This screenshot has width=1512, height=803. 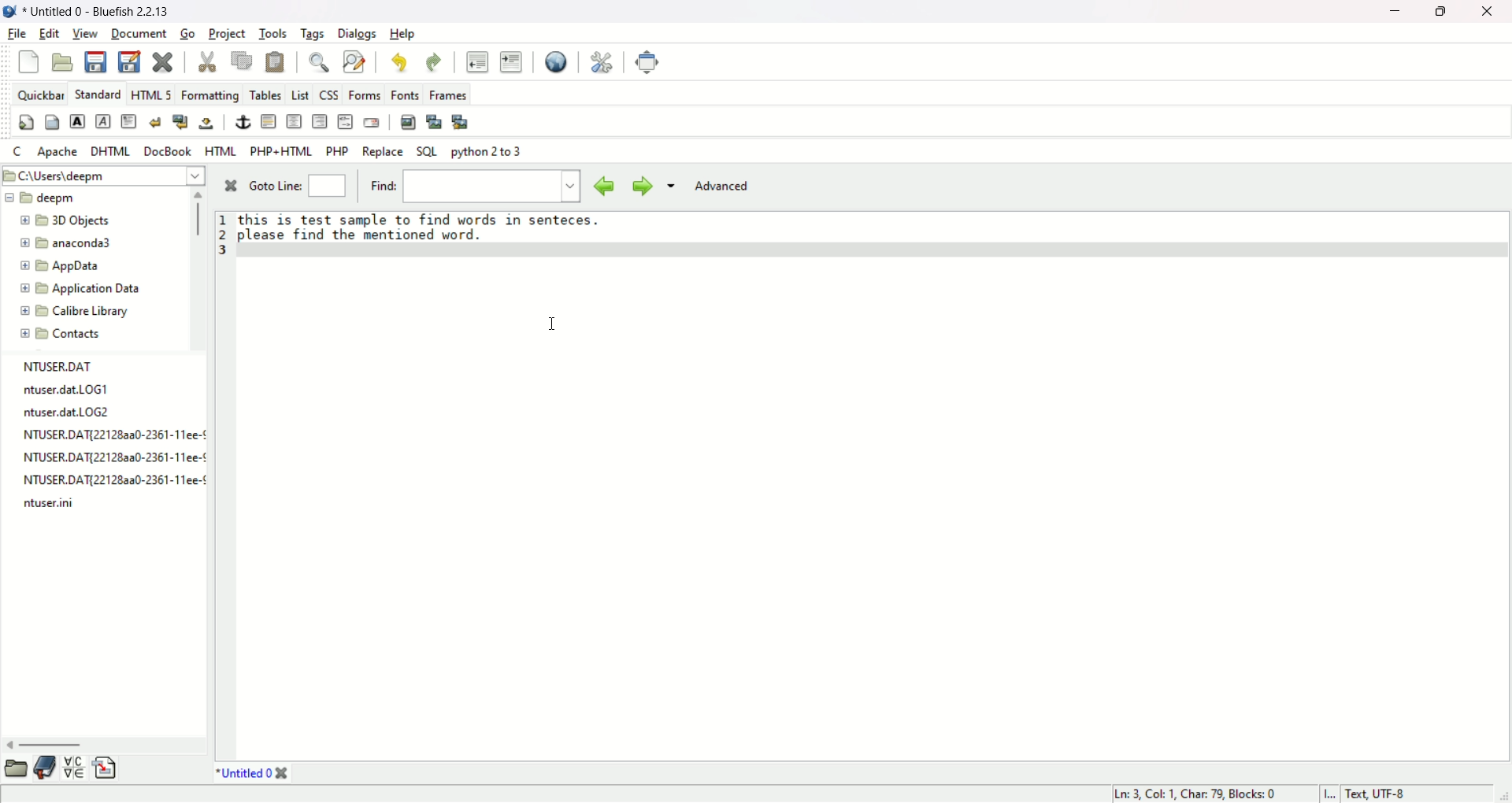 I want to click on next, so click(x=640, y=187).